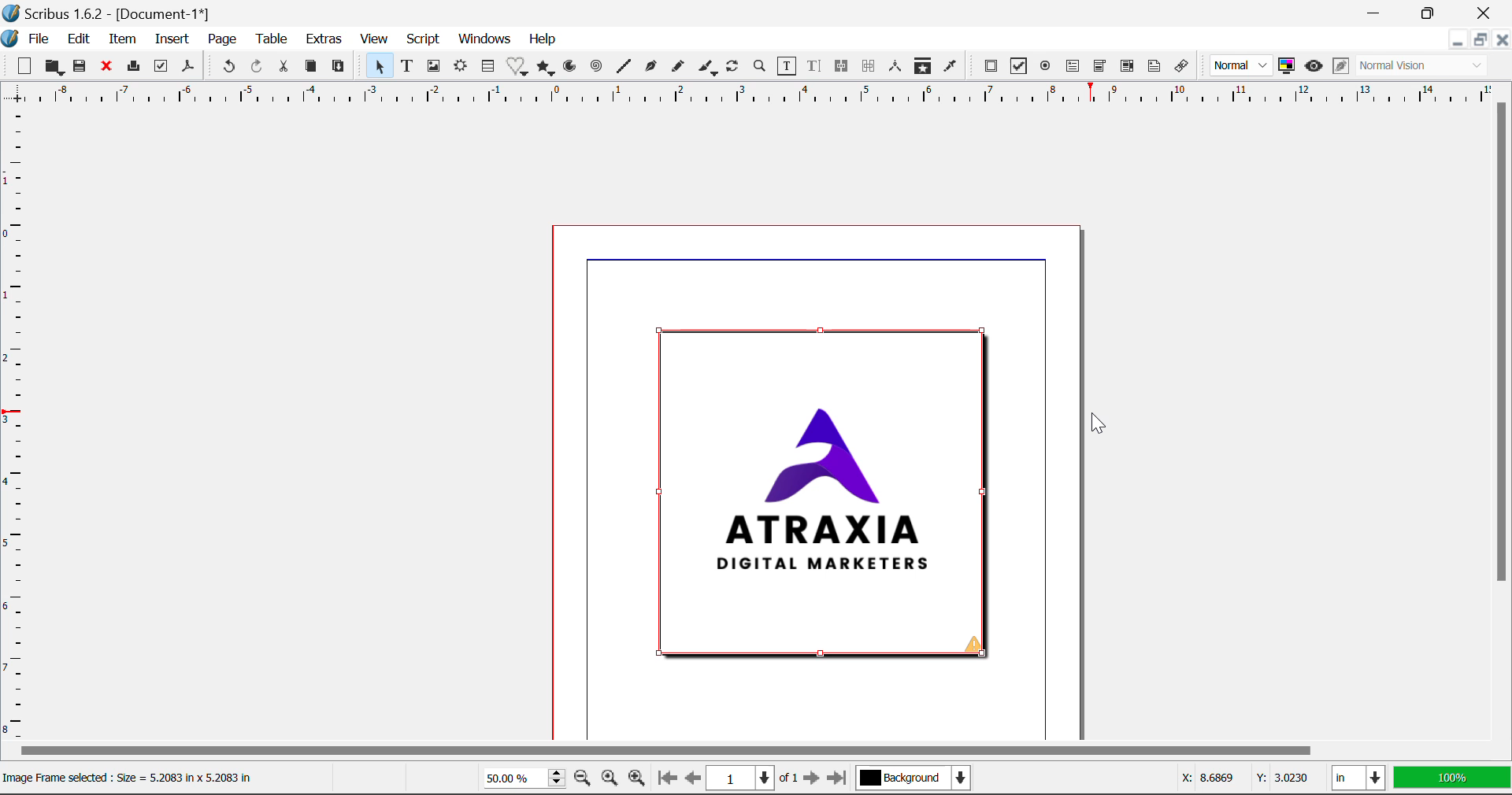  What do you see at coordinates (992, 68) in the screenshot?
I see `Pdf Push Button` at bounding box center [992, 68].